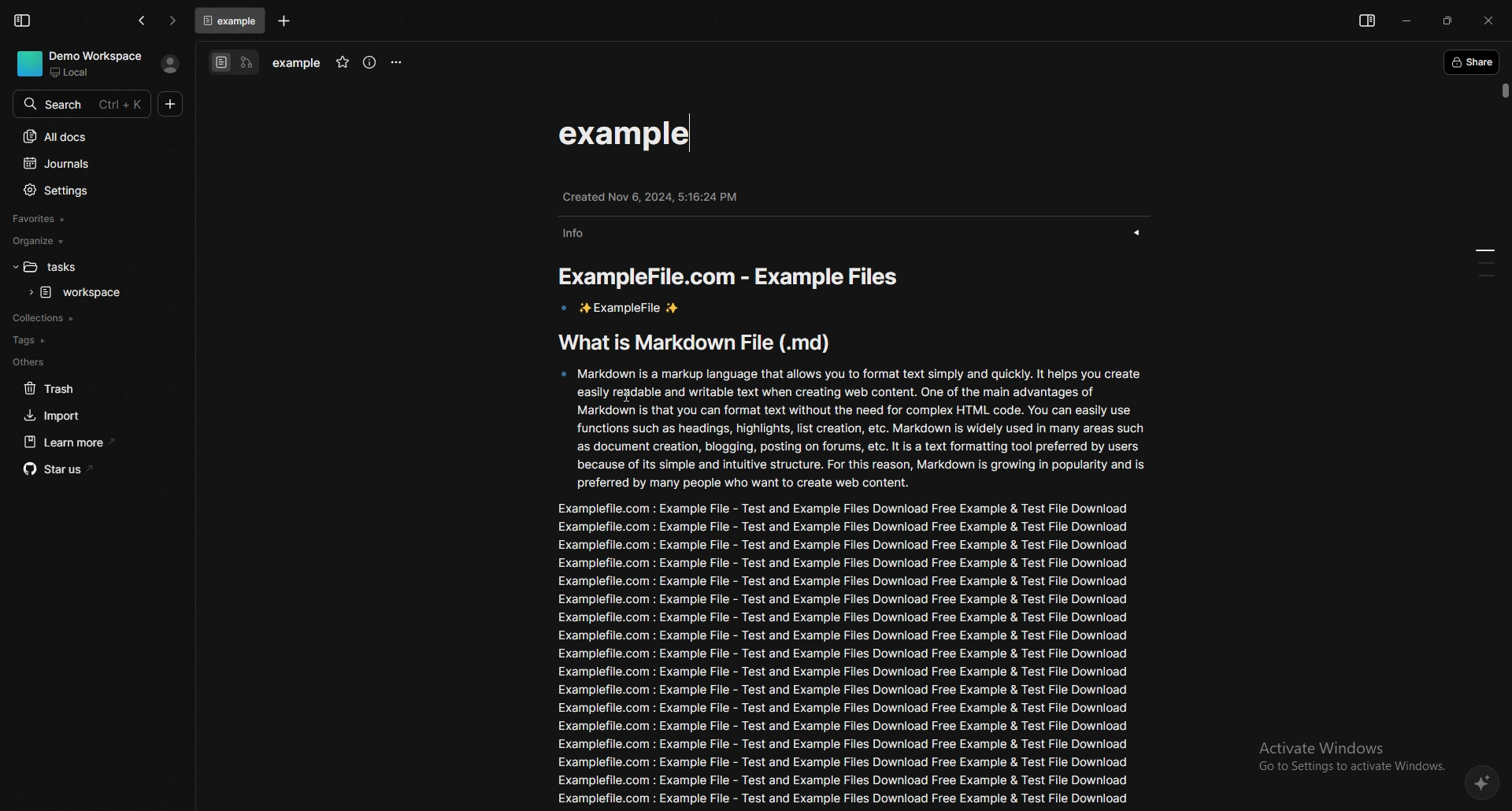  What do you see at coordinates (573, 231) in the screenshot?
I see `info` at bounding box center [573, 231].